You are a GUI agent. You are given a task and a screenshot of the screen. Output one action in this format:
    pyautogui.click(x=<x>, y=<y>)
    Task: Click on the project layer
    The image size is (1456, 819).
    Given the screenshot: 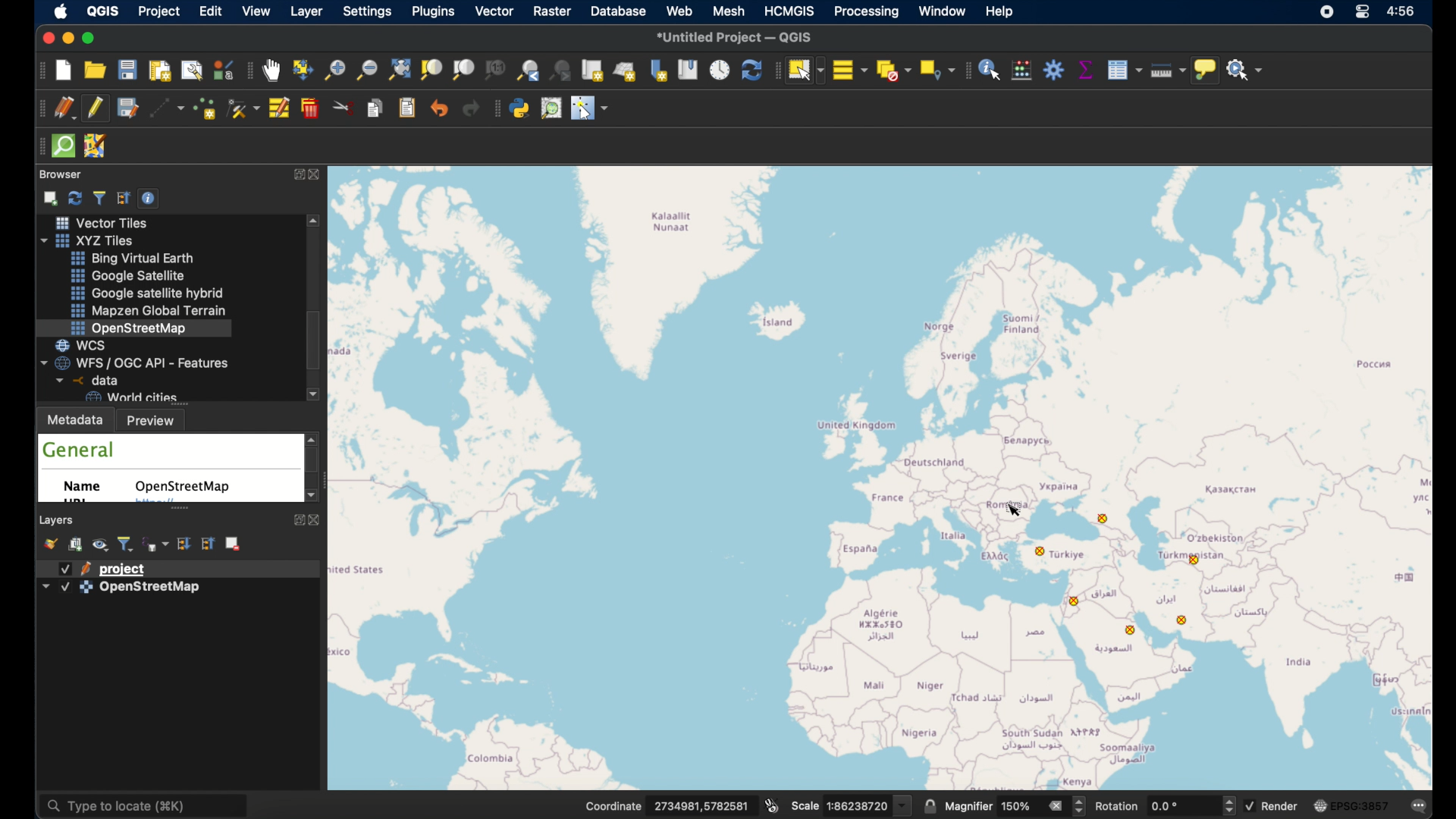 What is the action you would take?
    pyautogui.click(x=125, y=568)
    